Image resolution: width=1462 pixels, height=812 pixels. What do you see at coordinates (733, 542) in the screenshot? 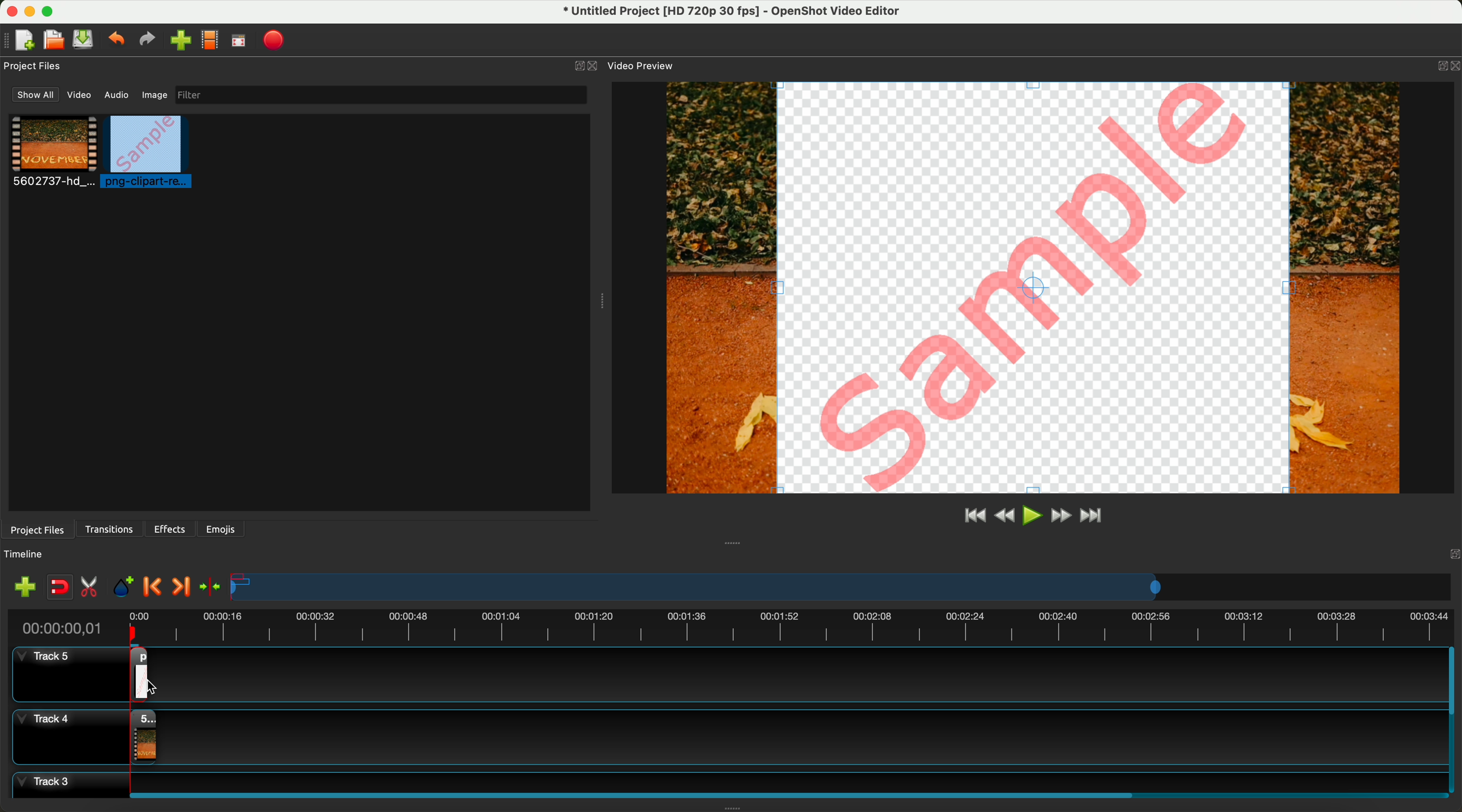
I see `Window Expanding` at bounding box center [733, 542].